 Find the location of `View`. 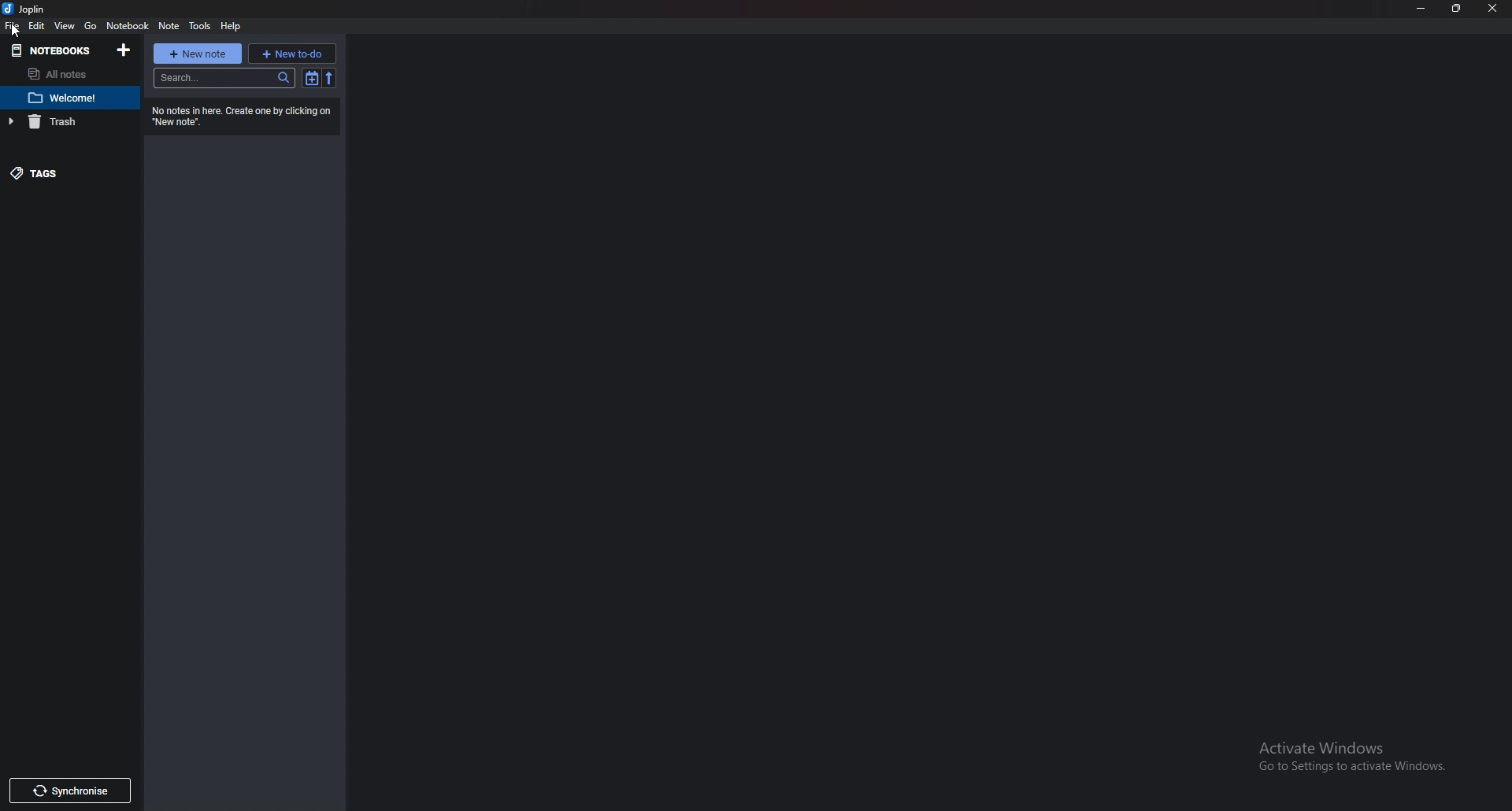

View is located at coordinates (66, 27).